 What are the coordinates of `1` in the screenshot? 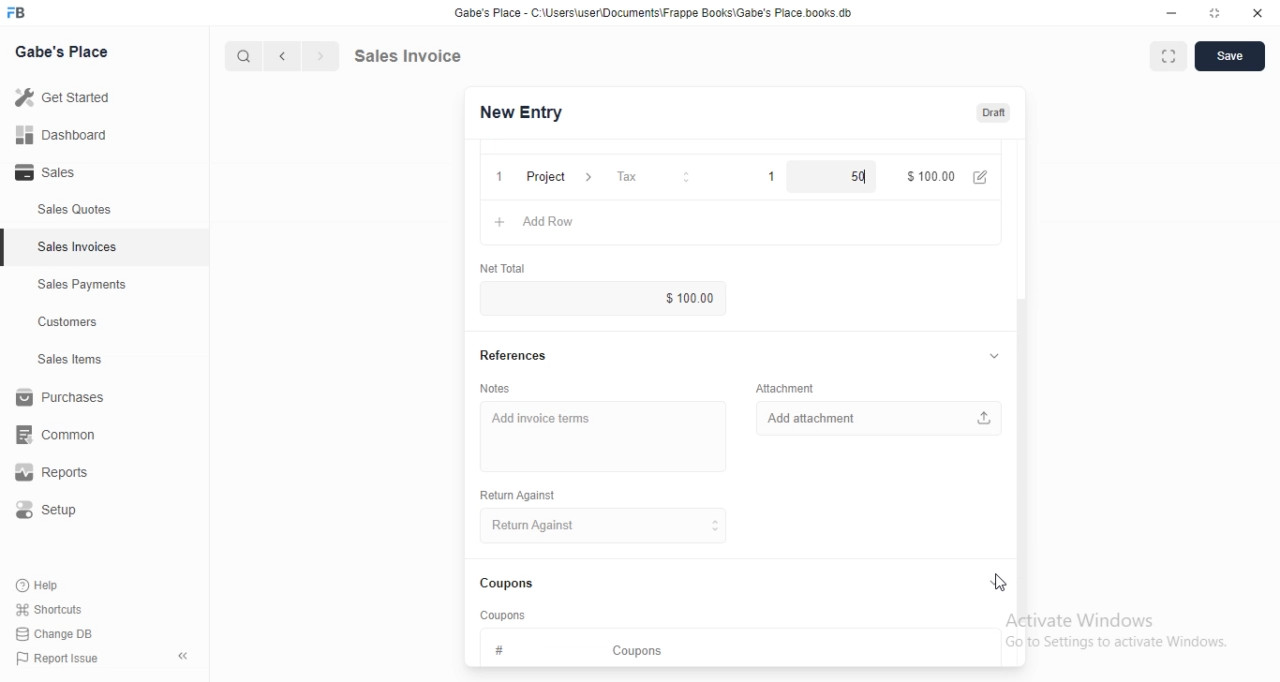 It's located at (495, 174).